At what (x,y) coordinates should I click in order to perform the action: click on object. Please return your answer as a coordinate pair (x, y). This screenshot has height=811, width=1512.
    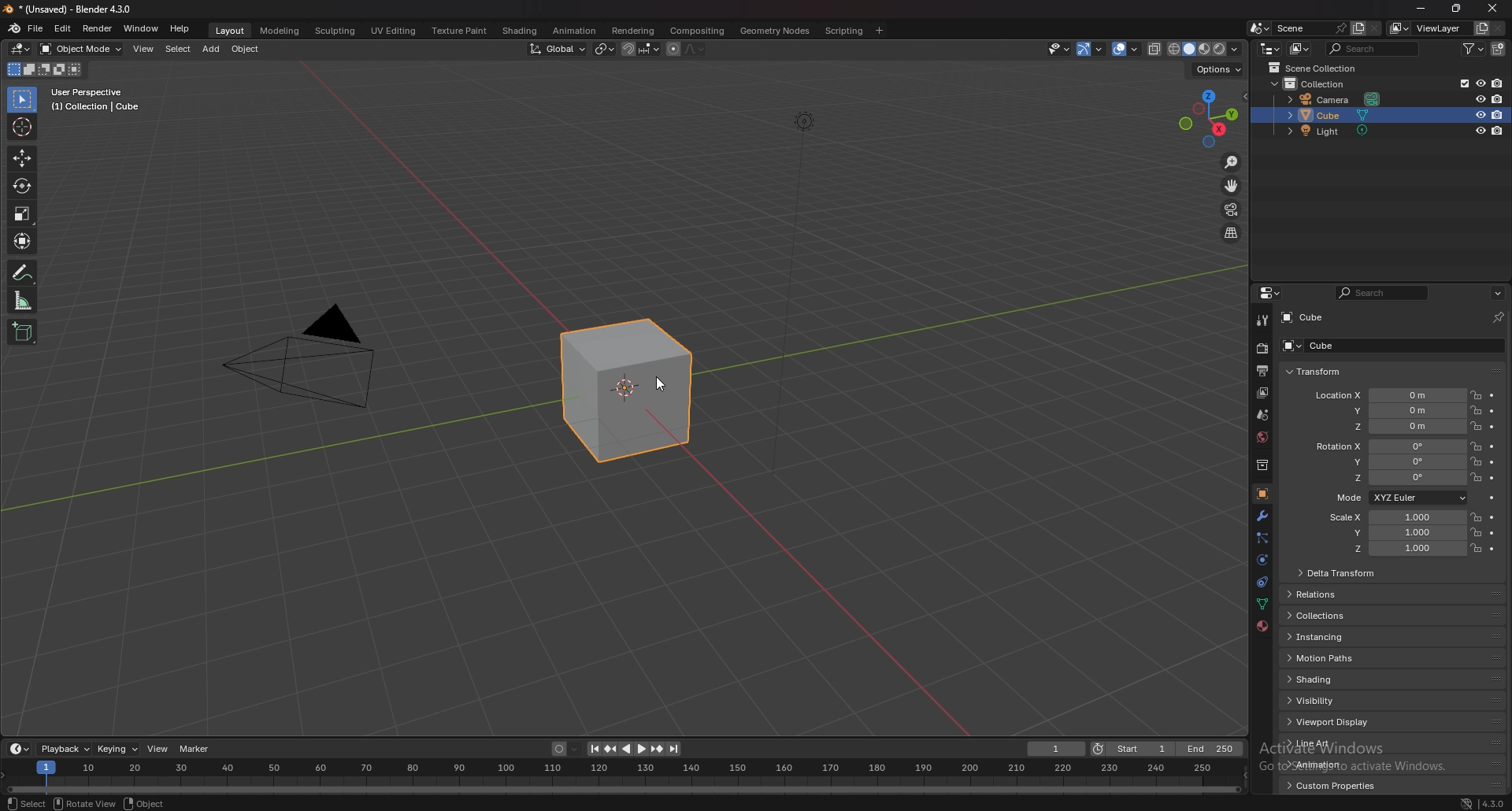
    Looking at the image, I should click on (246, 49).